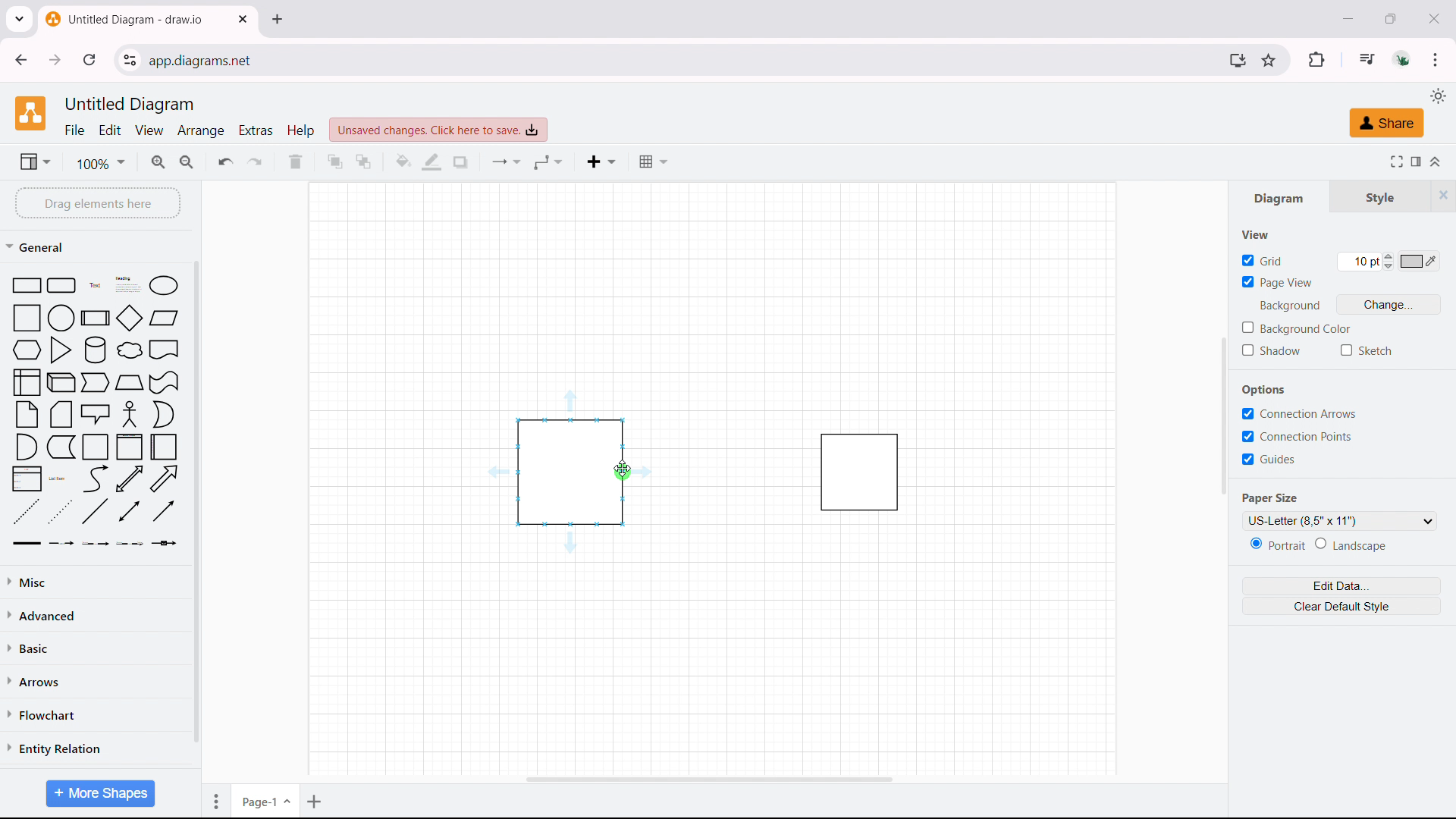 This screenshot has height=819, width=1456. I want to click on customize and control, so click(1436, 59).